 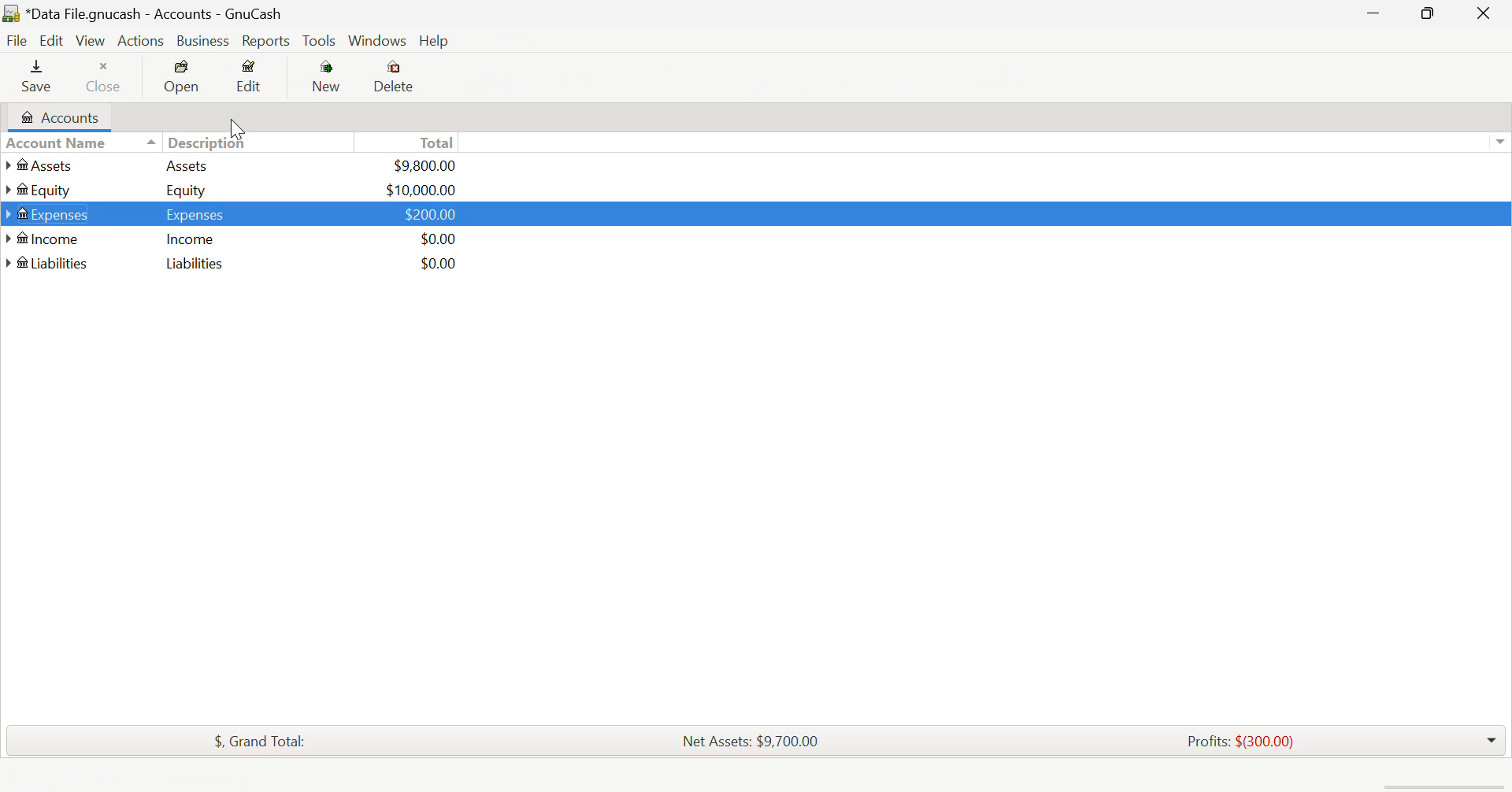 I want to click on *Data File.gnucash - Accounts - GnuCash, so click(x=154, y=13).